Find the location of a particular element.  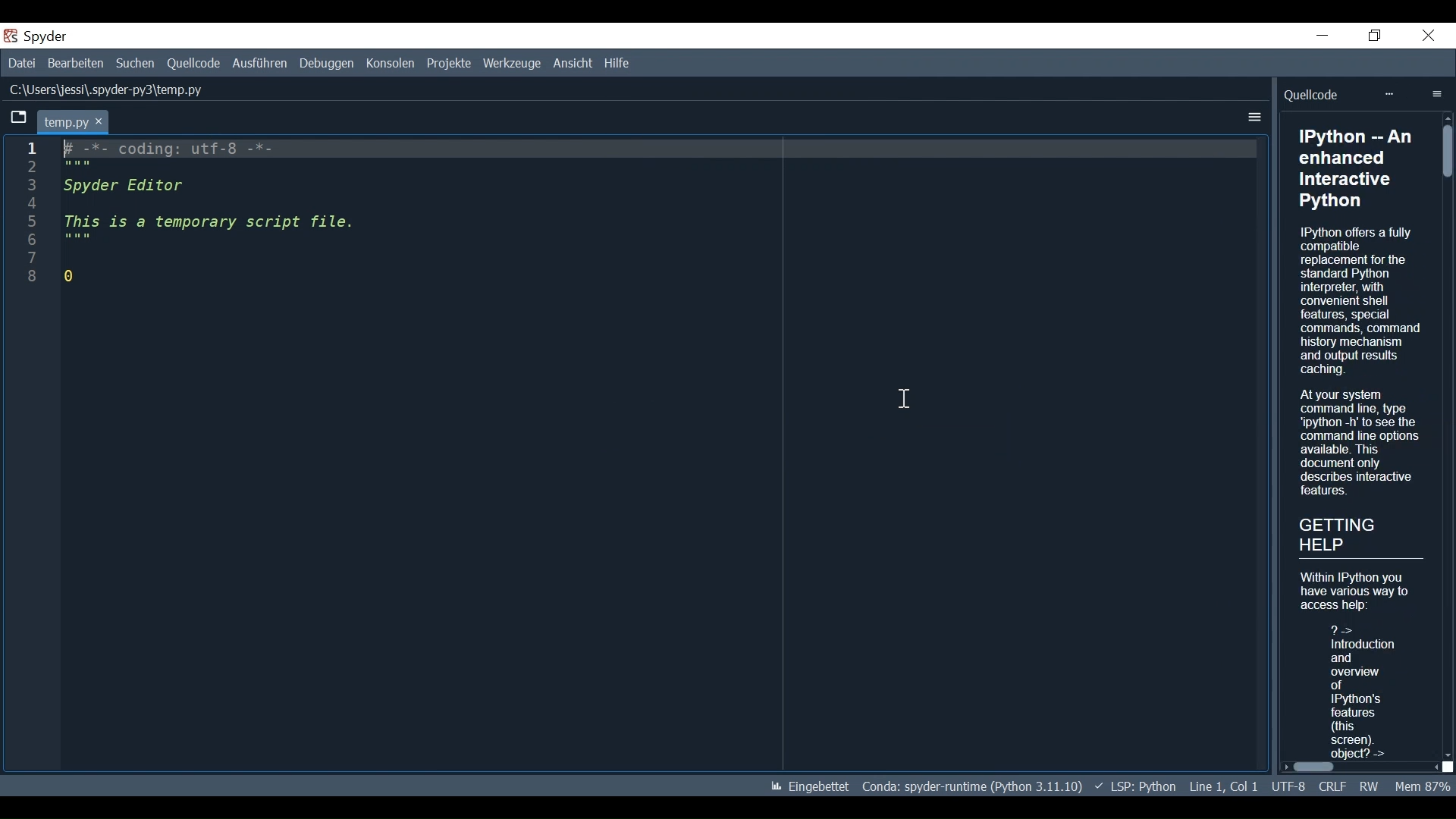

Conda: spyder-runtime(Python 3.11.10) is located at coordinates (970, 786).